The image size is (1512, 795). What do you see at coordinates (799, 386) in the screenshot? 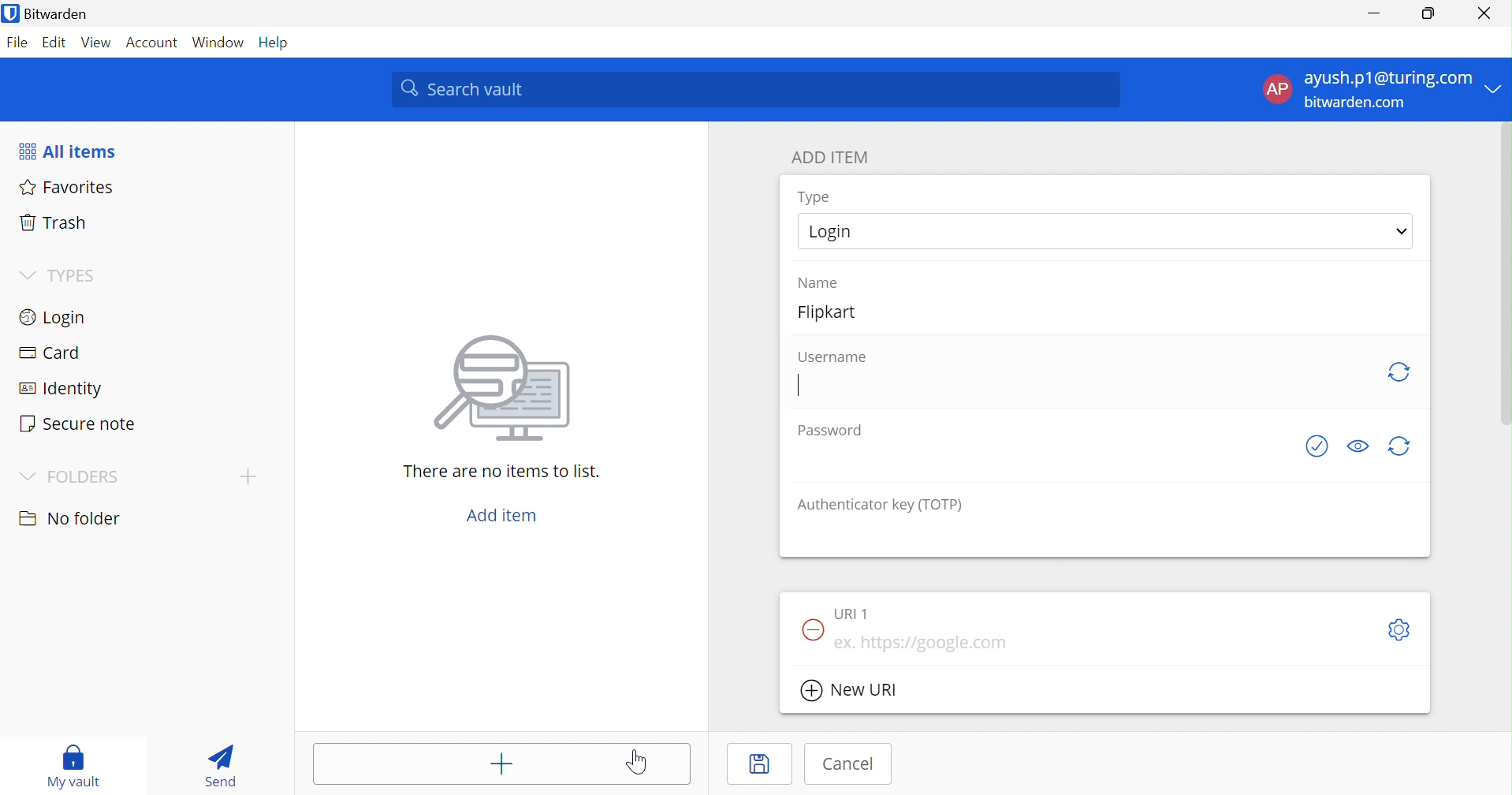
I see `Typing Cursor` at bounding box center [799, 386].